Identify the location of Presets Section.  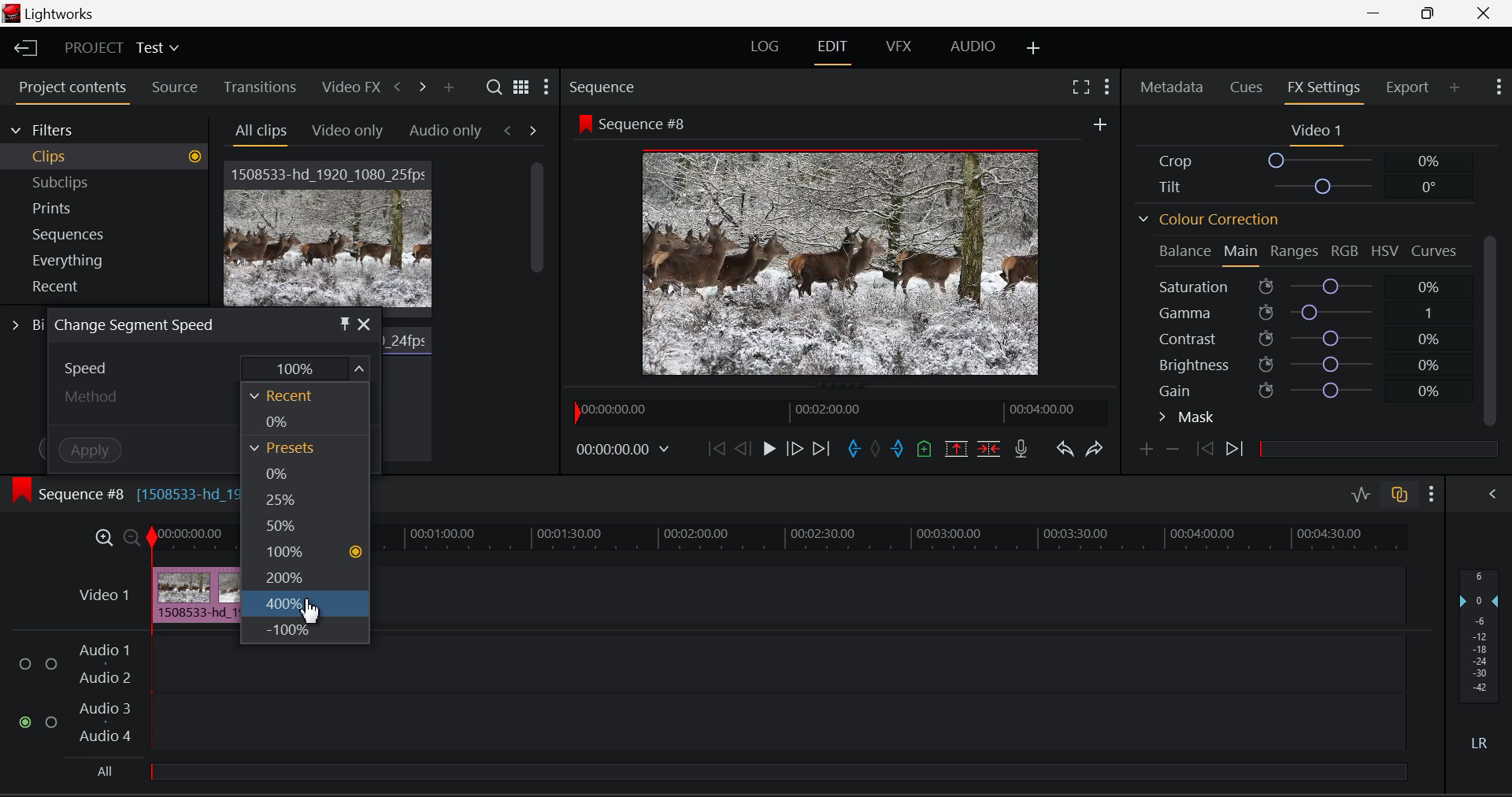
(296, 447).